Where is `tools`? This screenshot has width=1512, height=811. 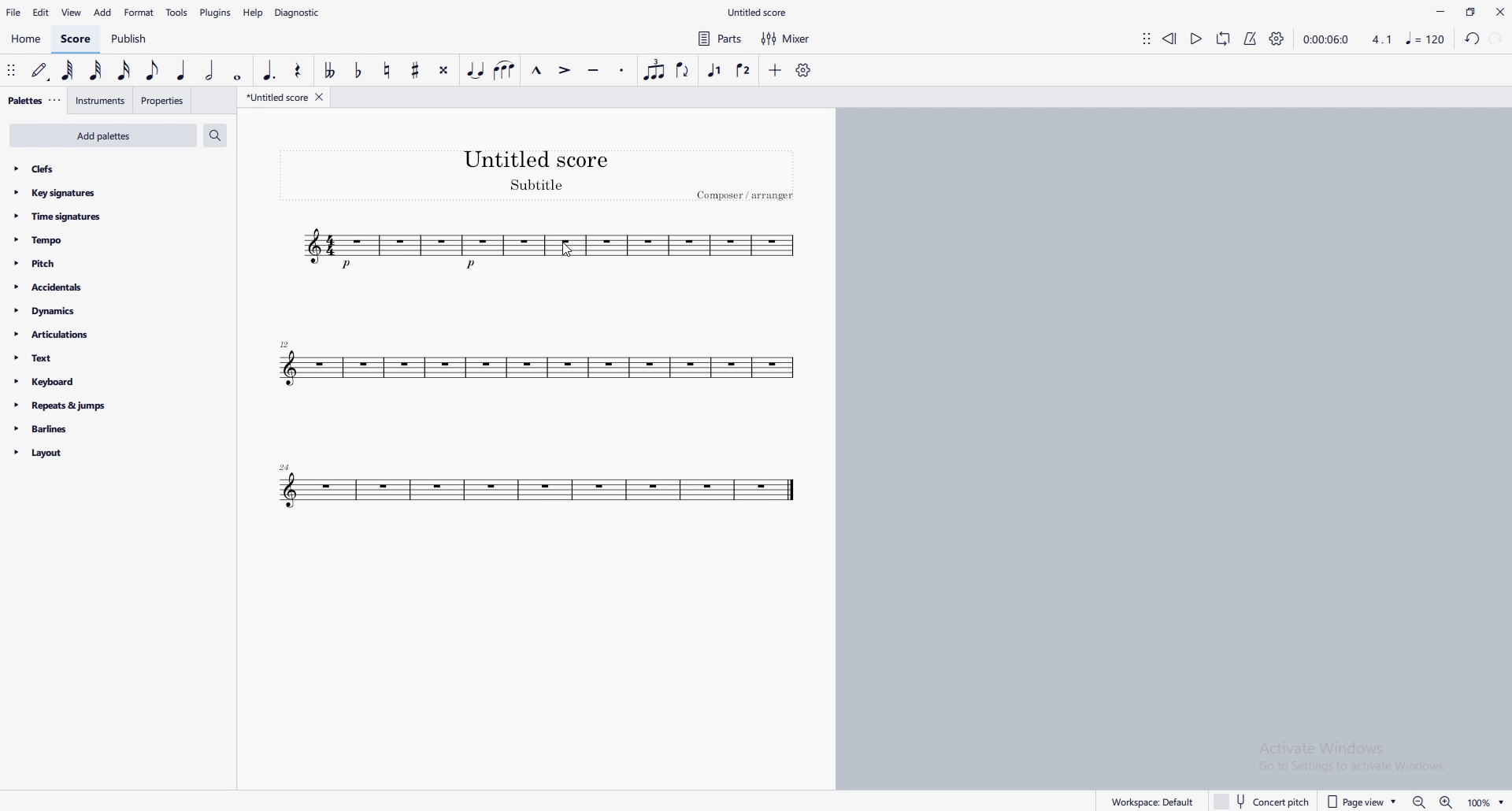
tools is located at coordinates (176, 13).